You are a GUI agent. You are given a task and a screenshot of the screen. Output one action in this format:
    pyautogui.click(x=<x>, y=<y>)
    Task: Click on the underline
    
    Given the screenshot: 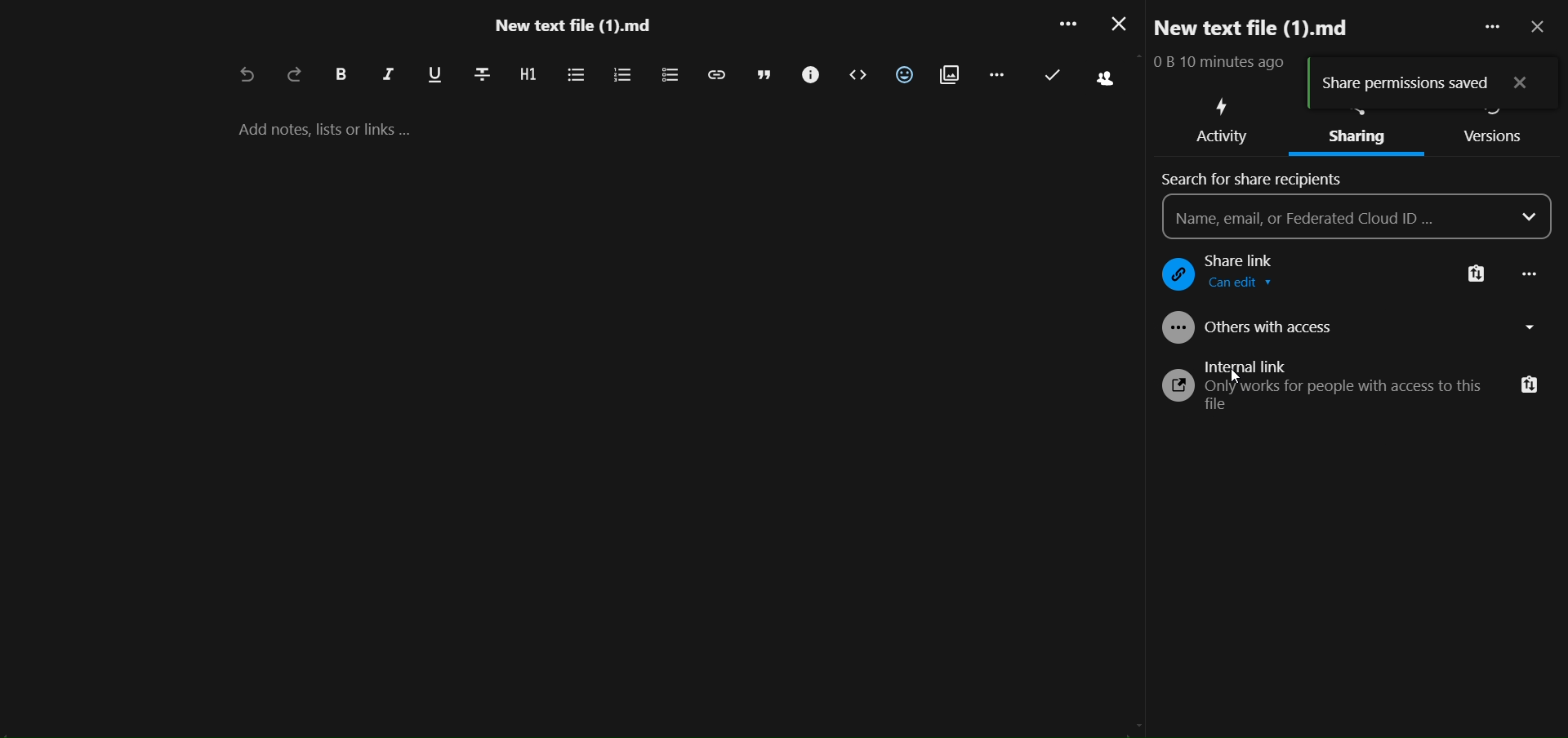 What is the action you would take?
    pyautogui.click(x=434, y=76)
    